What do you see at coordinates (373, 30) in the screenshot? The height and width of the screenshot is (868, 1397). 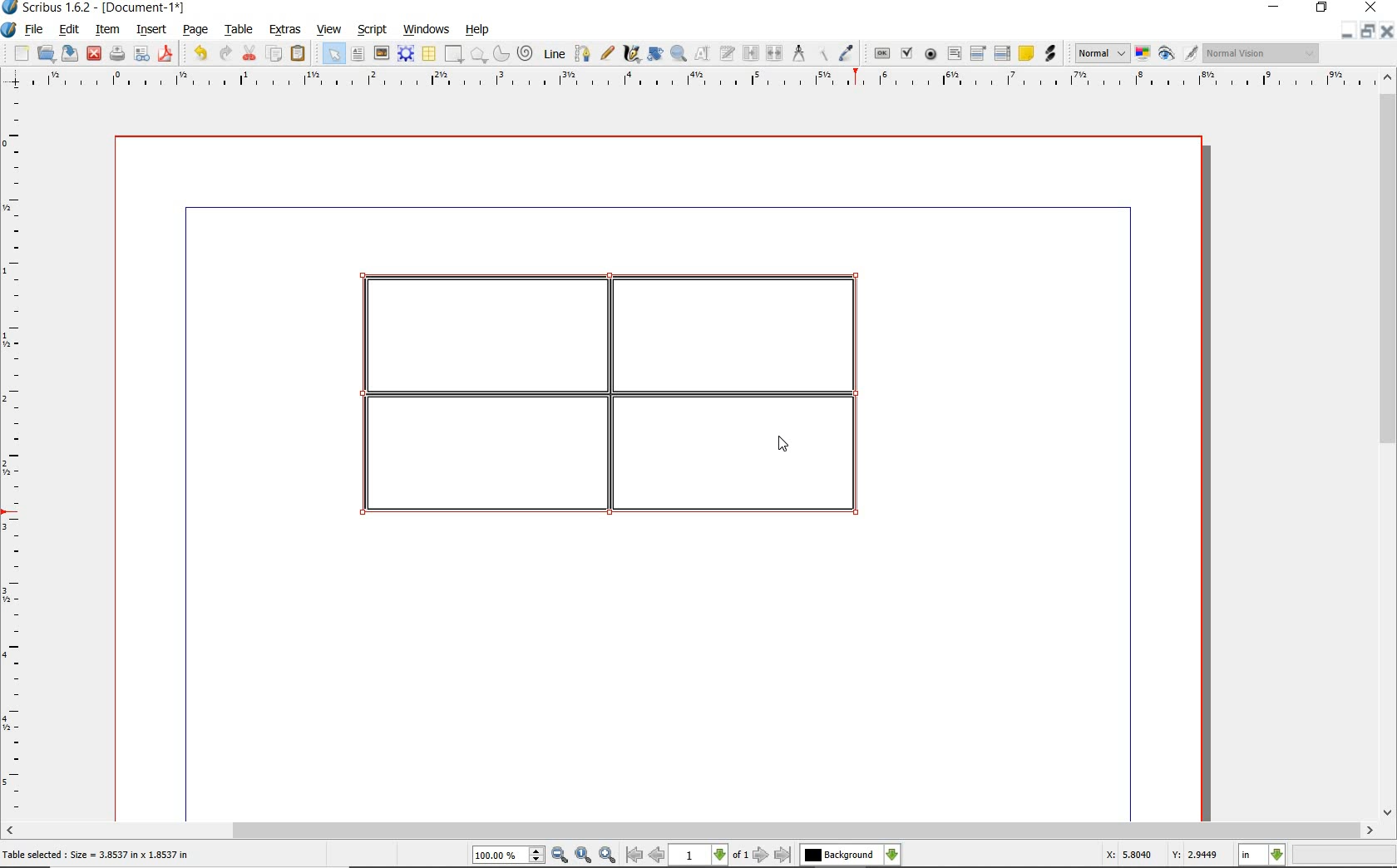 I see `script` at bounding box center [373, 30].